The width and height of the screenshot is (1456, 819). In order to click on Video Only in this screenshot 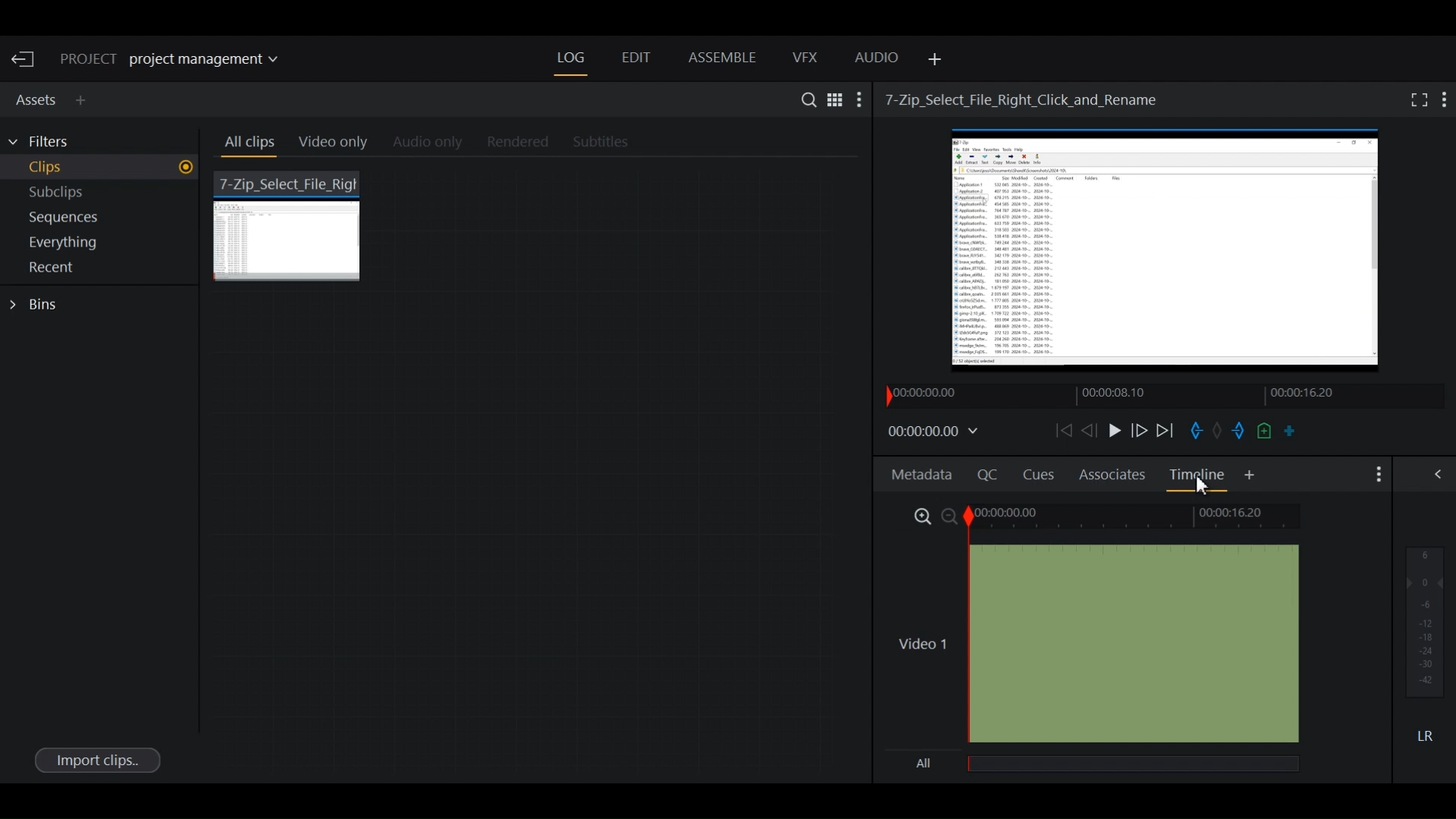, I will do `click(340, 145)`.